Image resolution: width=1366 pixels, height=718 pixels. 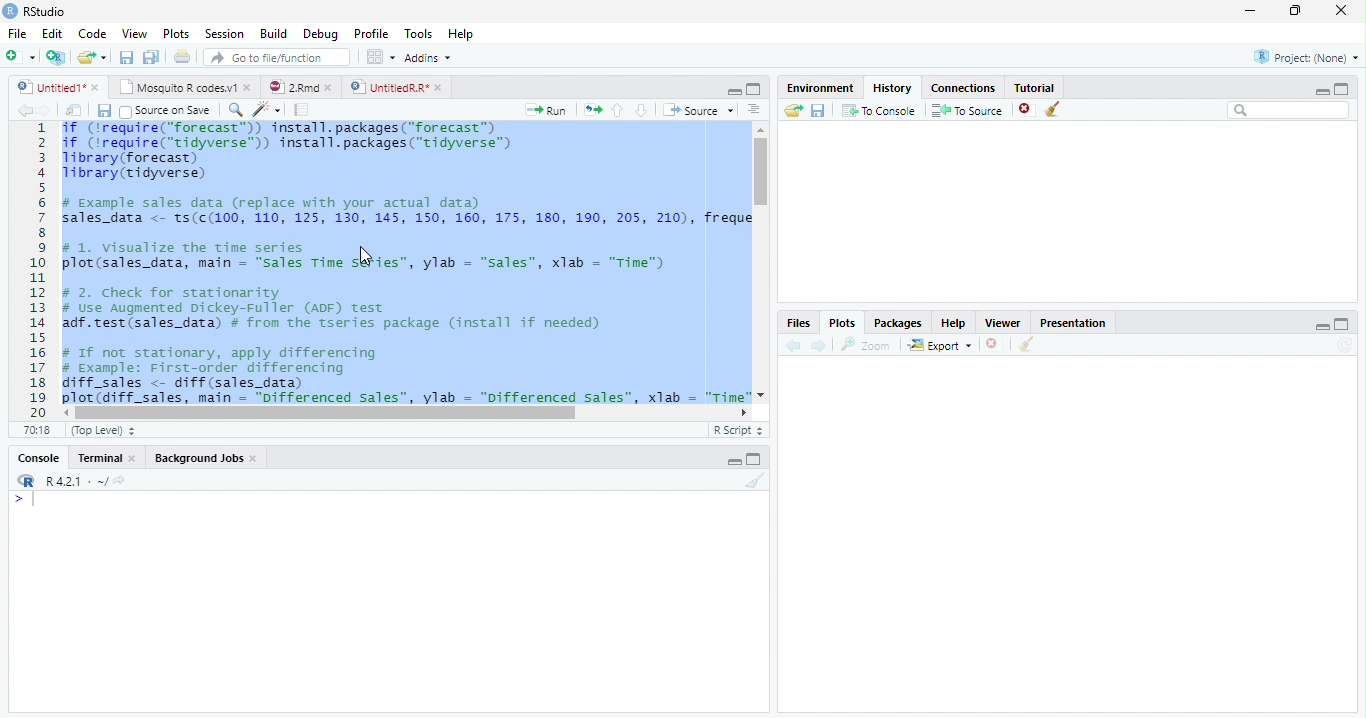 What do you see at coordinates (822, 89) in the screenshot?
I see `Environment` at bounding box center [822, 89].